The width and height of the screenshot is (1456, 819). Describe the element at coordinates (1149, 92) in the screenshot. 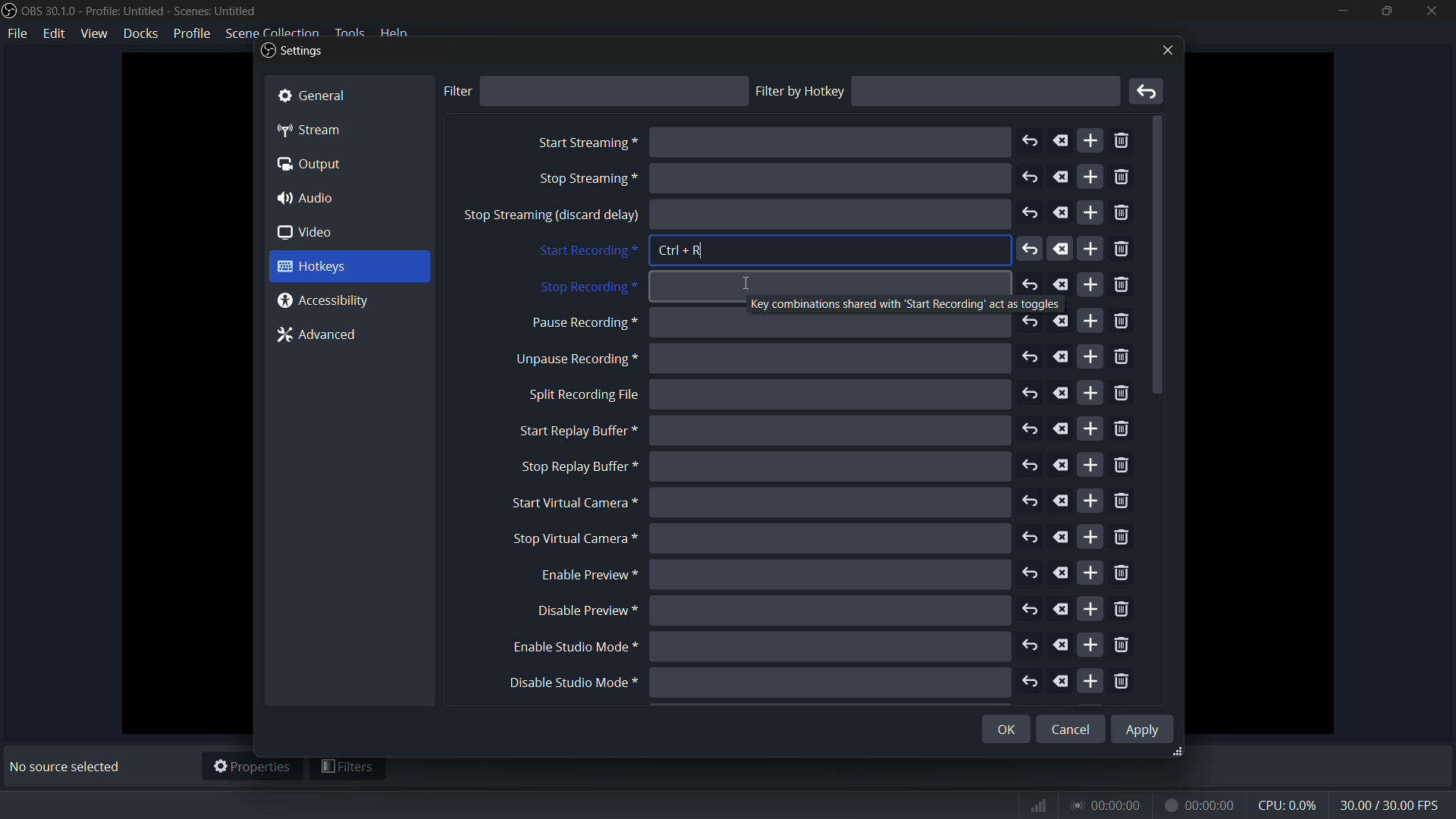

I see `remove` at that location.